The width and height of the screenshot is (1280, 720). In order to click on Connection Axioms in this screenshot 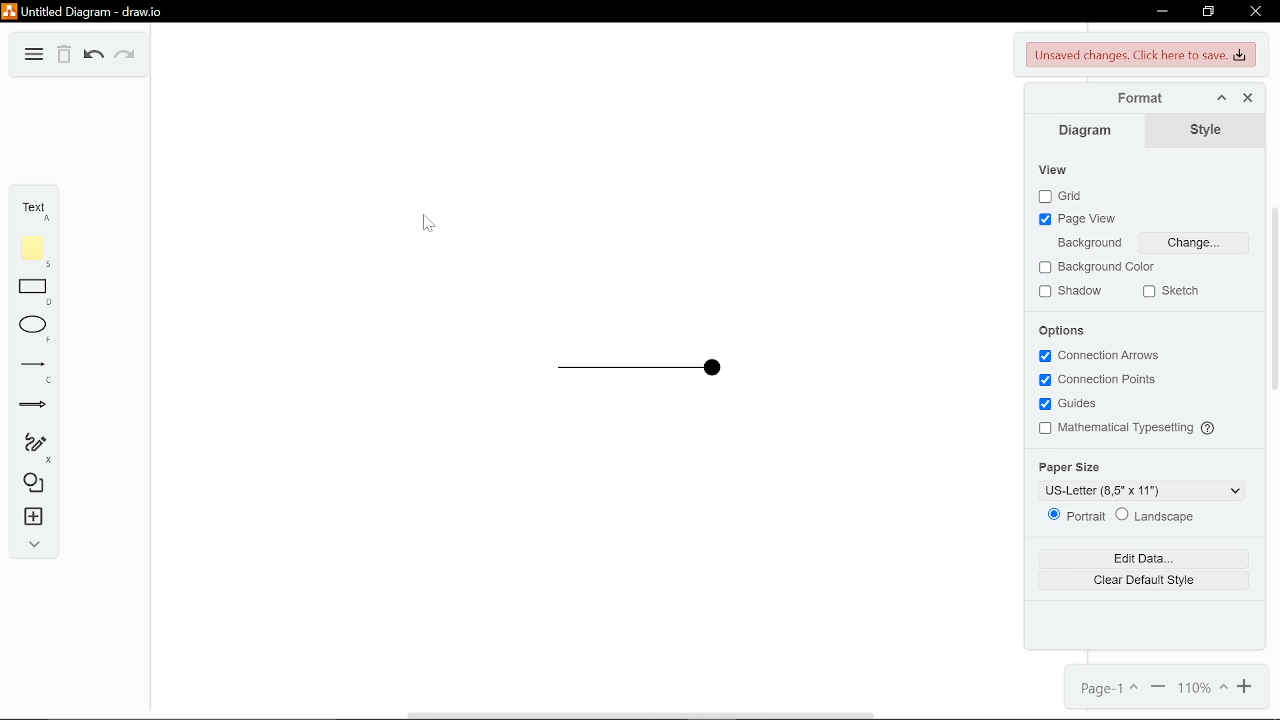, I will do `click(1095, 356)`.